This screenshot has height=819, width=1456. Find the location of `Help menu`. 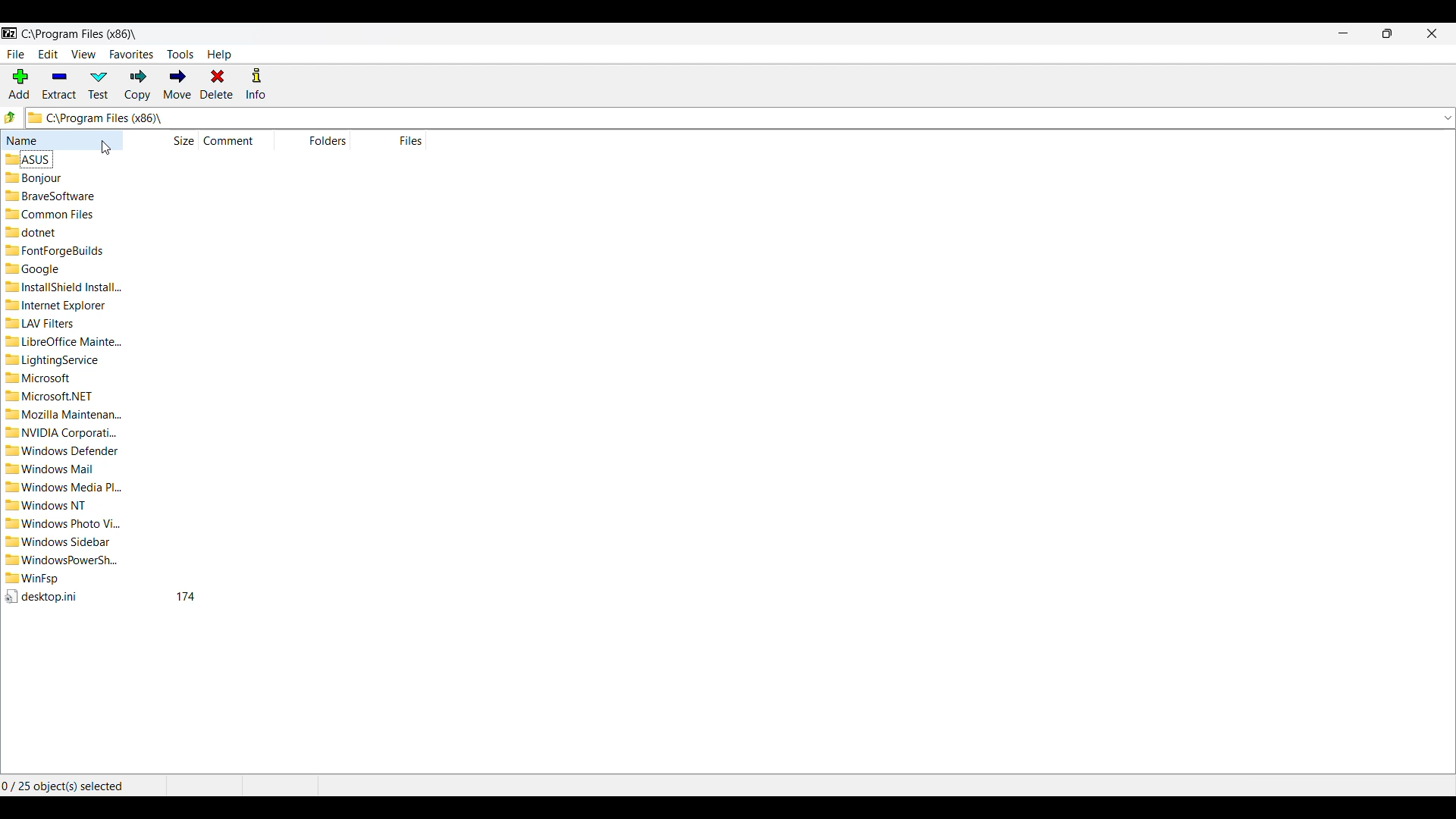

Help menu is located at coordinates (219, 55).